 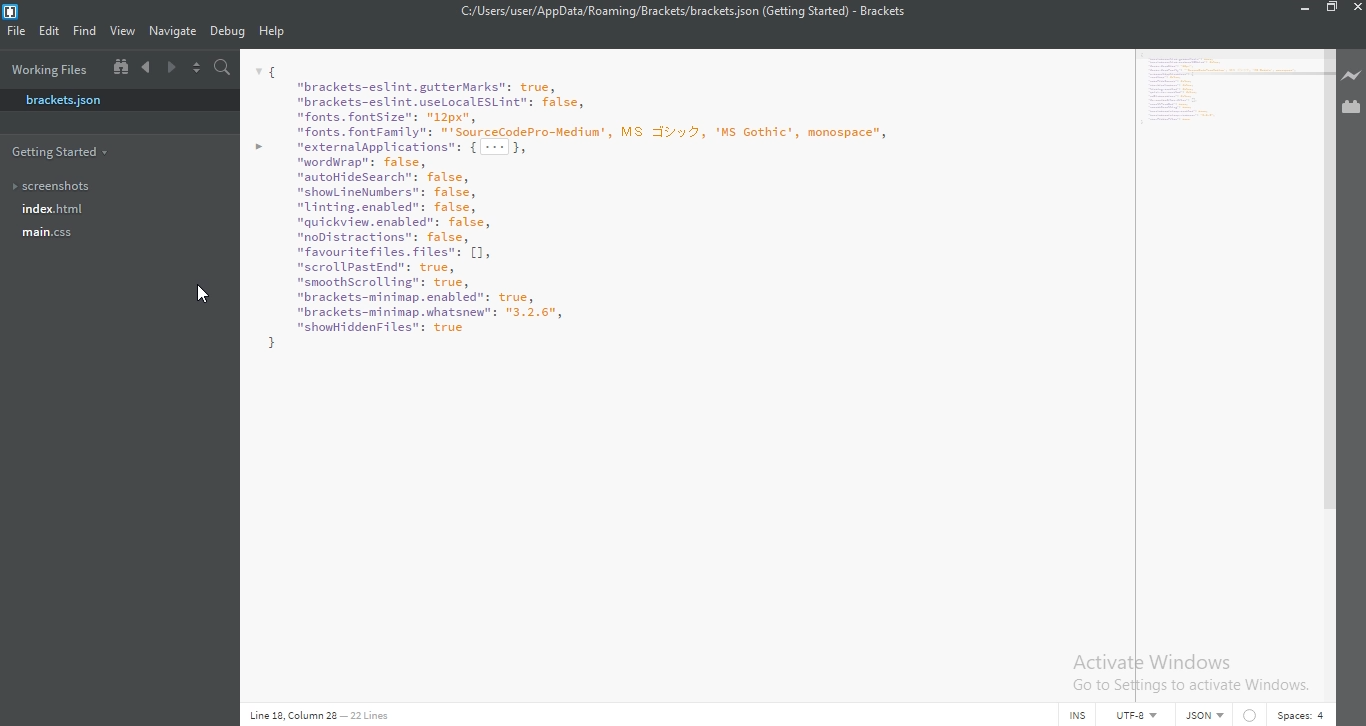 I want to click on brackets.json, so click(x=67, y=100).